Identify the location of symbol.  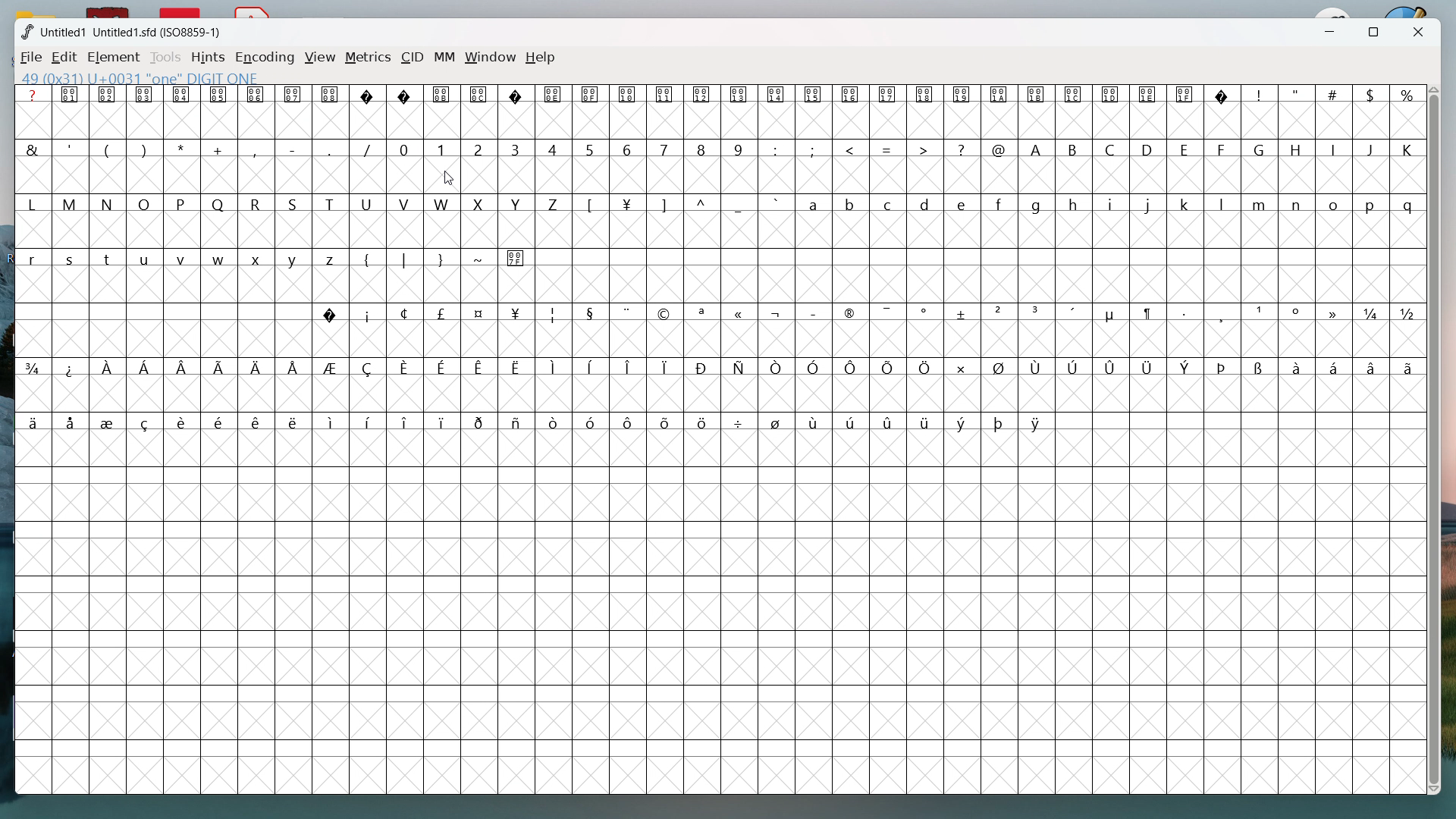
(628, 423).